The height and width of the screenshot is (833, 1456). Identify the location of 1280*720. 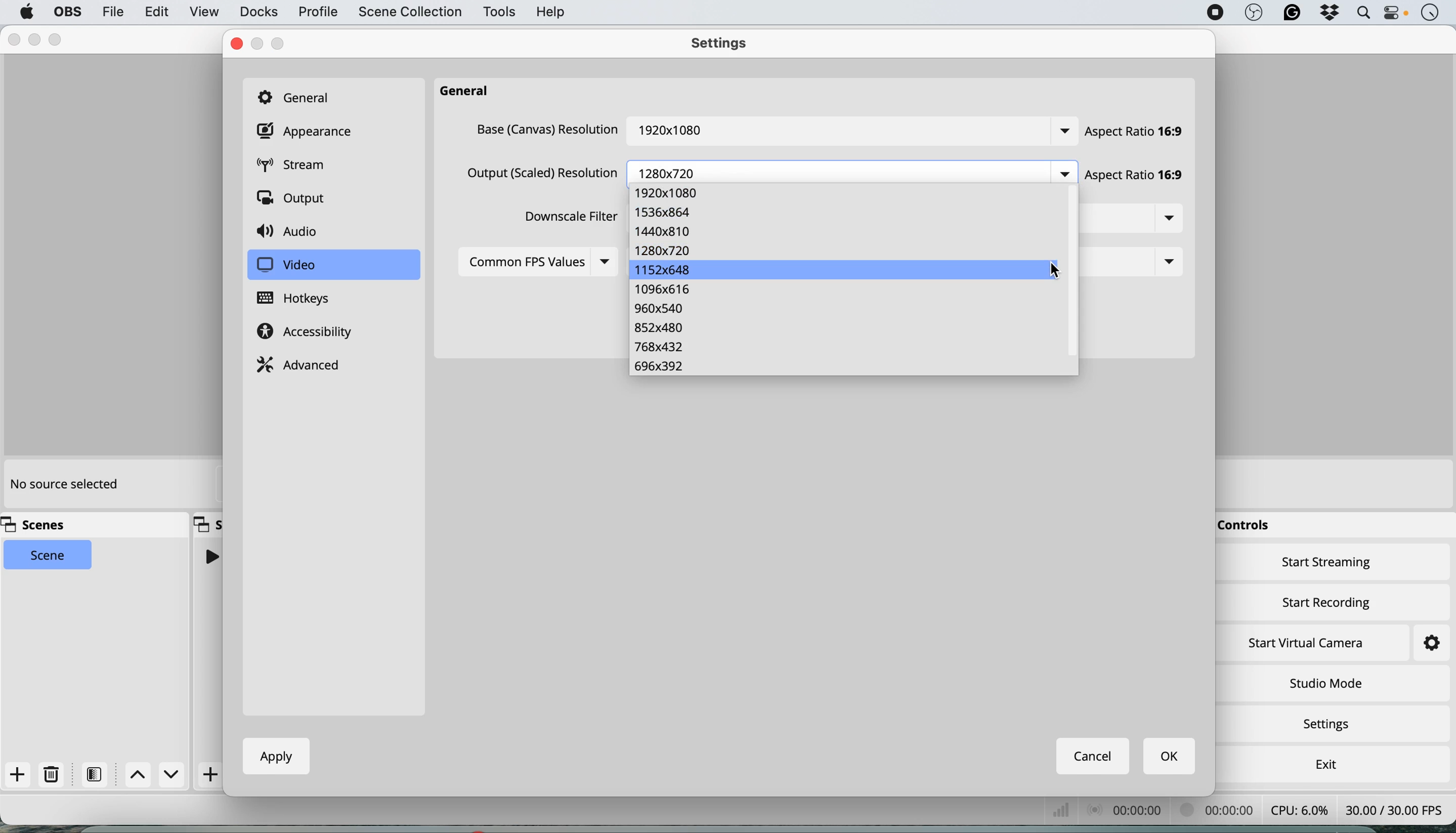
(675, 172).